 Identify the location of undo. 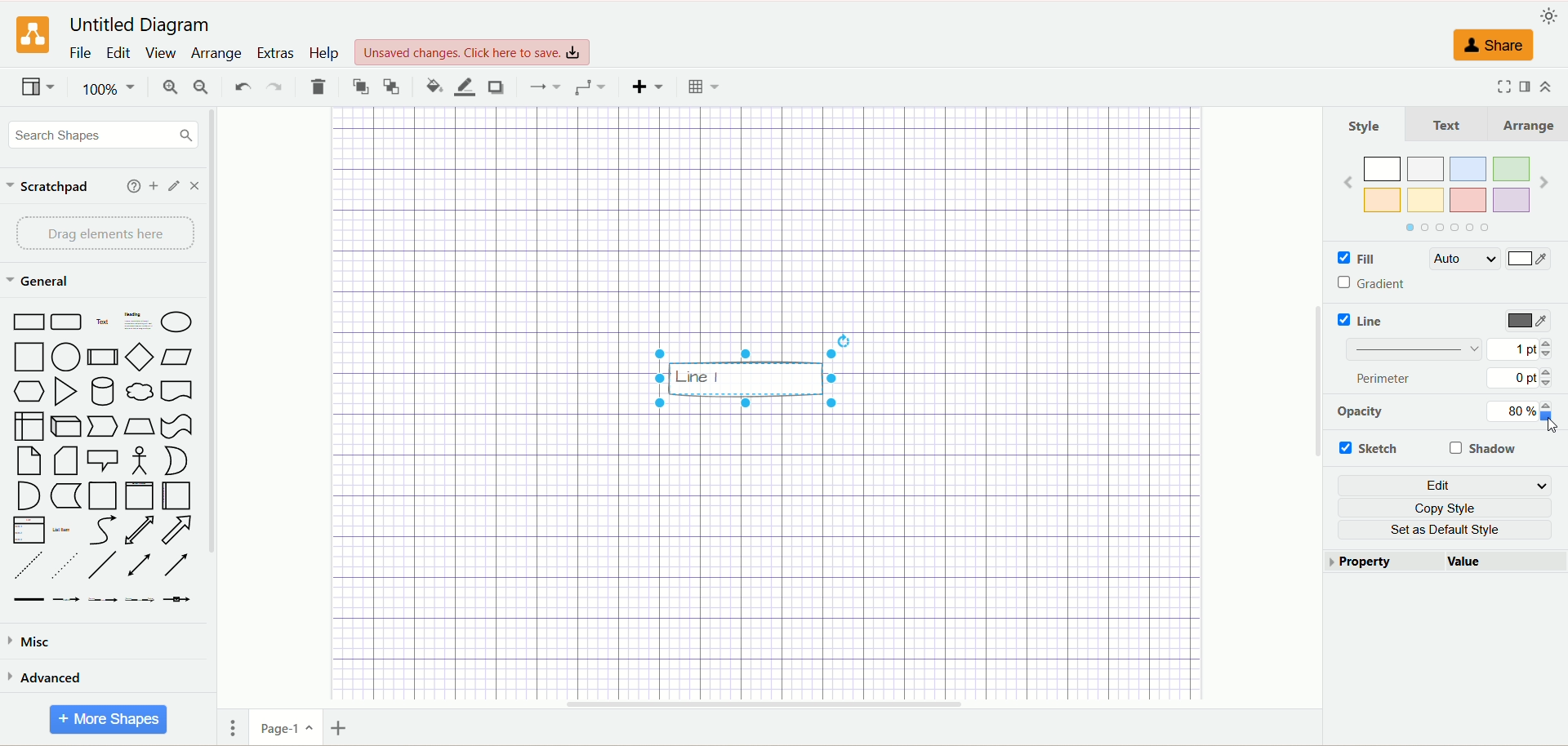
(239, 87).